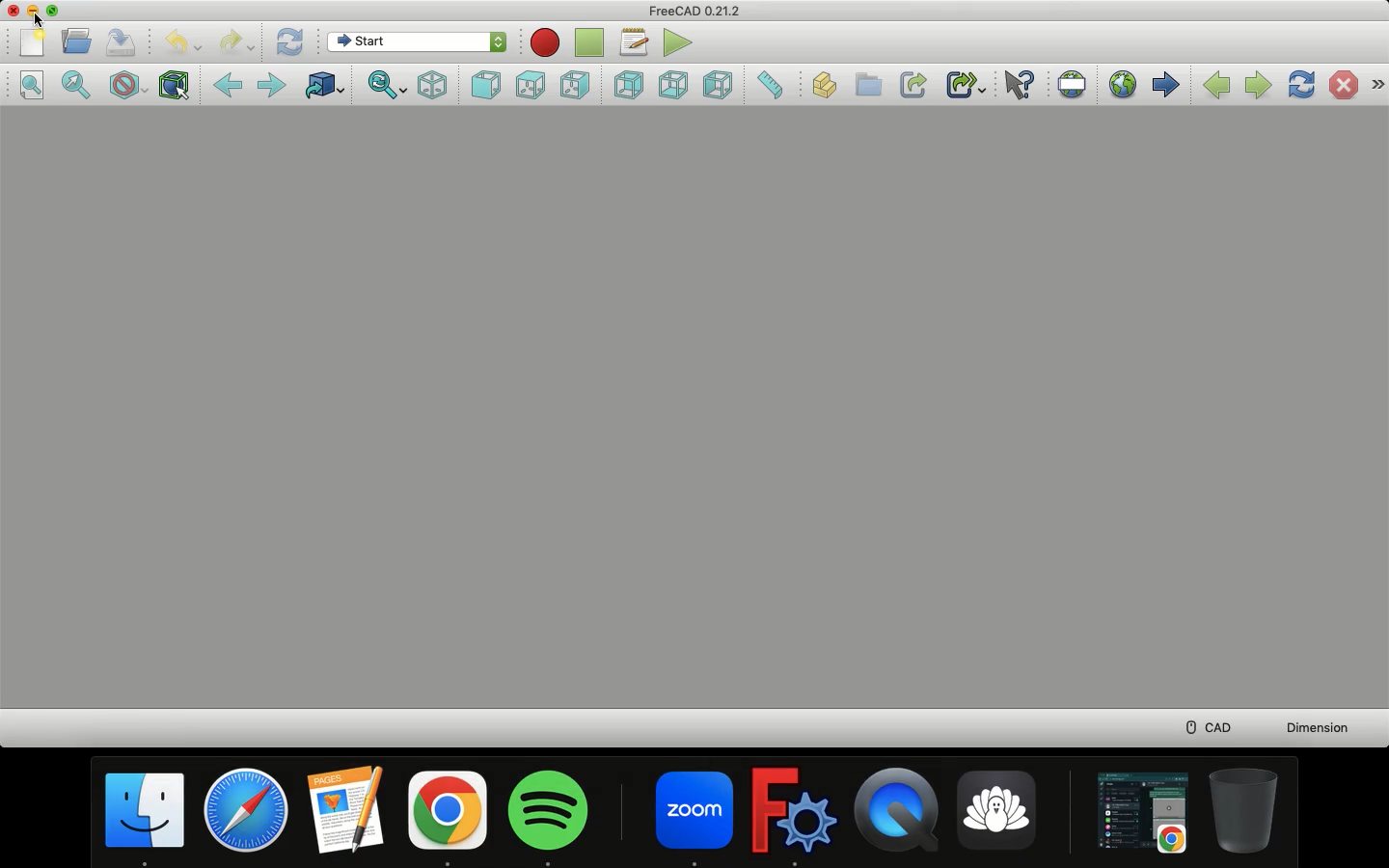  Describe the element at coordinates (592, 39) in the screenshot. I see `stop macro reading` at that location.